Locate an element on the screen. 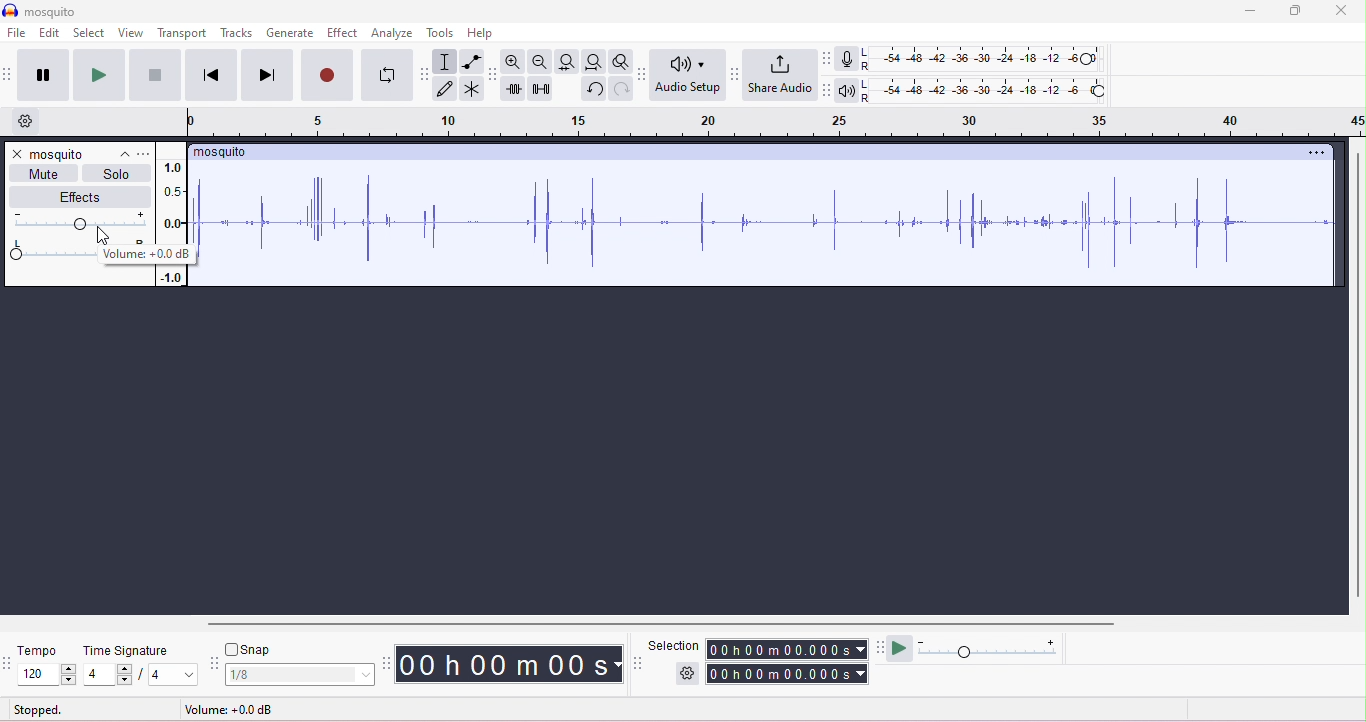 Image resolution: width=1366 pixels, height=722 pixels. selection is located at coordinates (446, 63).